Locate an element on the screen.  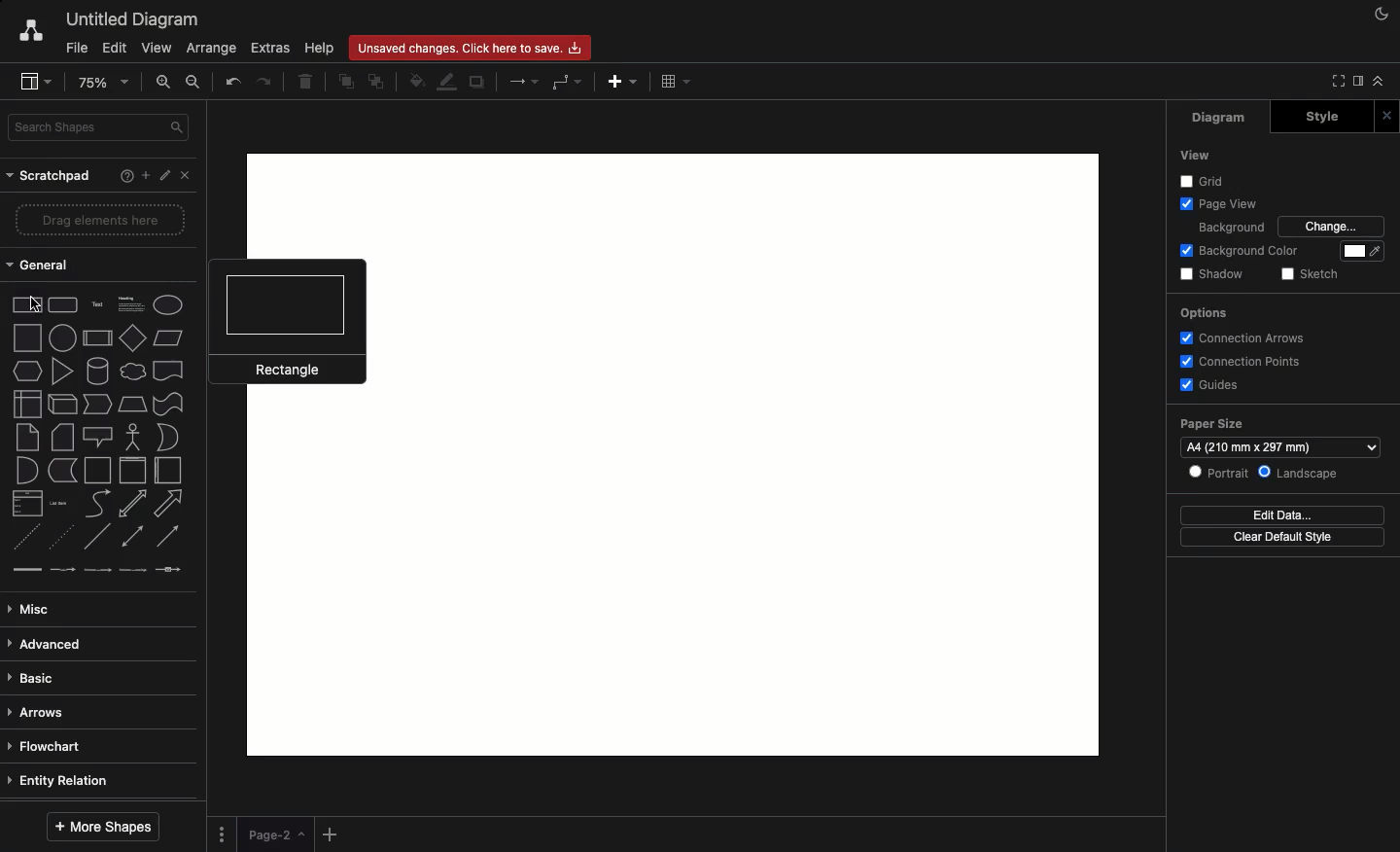
Shadow is located at coordinates (1215, 274).